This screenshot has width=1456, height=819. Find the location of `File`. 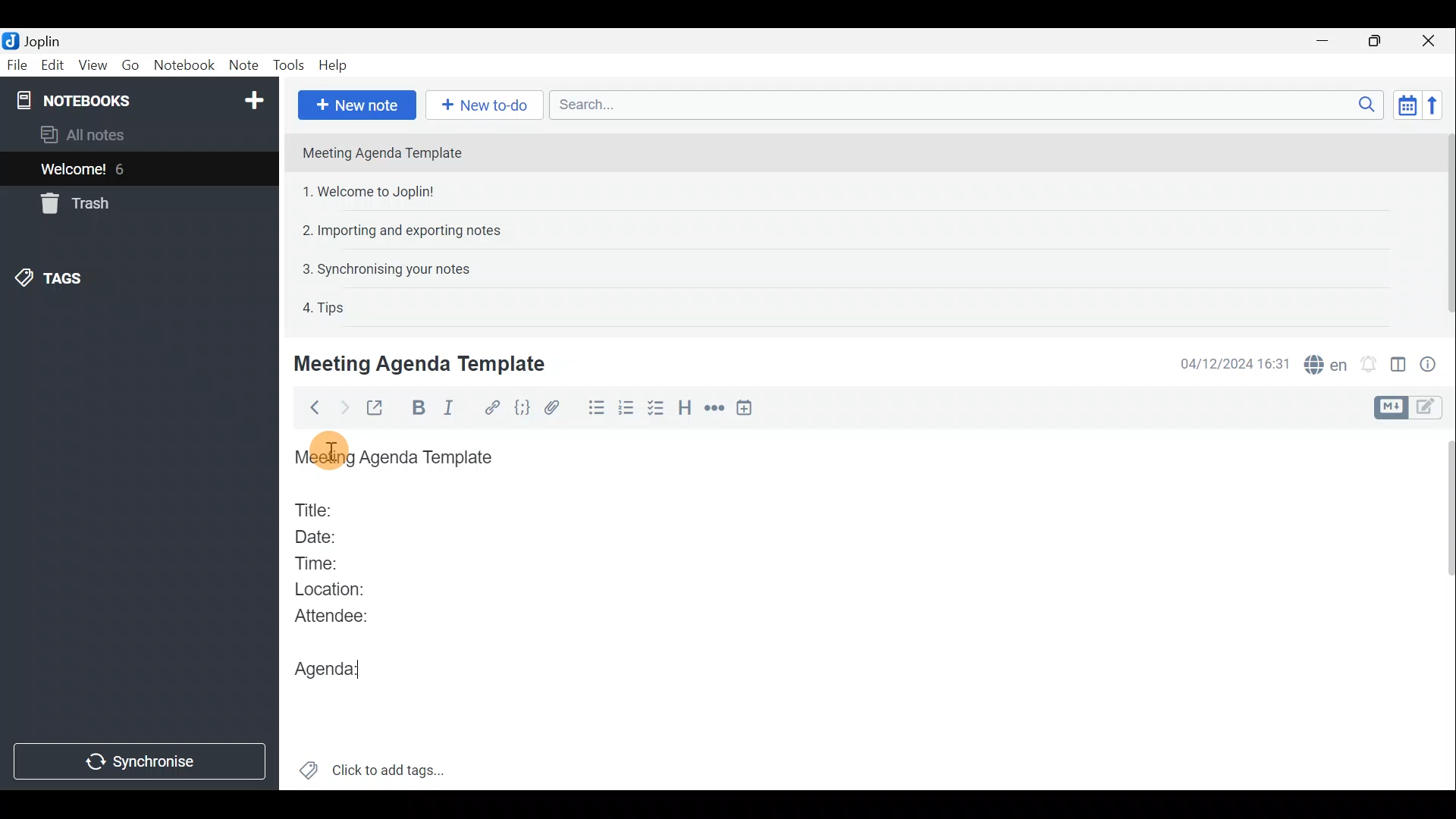

File is located at coordinates (17, 64).